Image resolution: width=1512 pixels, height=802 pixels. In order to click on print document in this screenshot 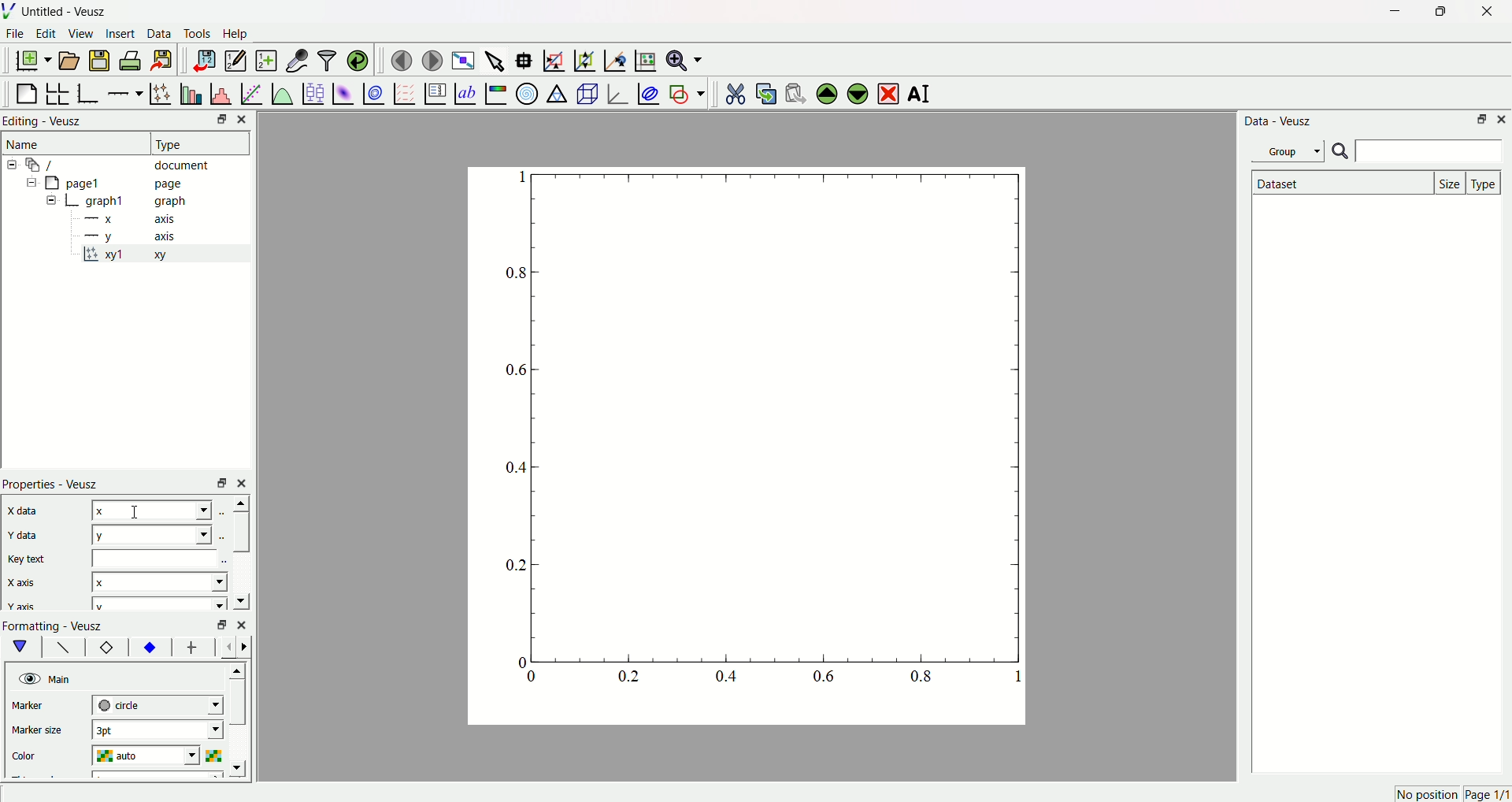, I will do `click(132, 62)`.